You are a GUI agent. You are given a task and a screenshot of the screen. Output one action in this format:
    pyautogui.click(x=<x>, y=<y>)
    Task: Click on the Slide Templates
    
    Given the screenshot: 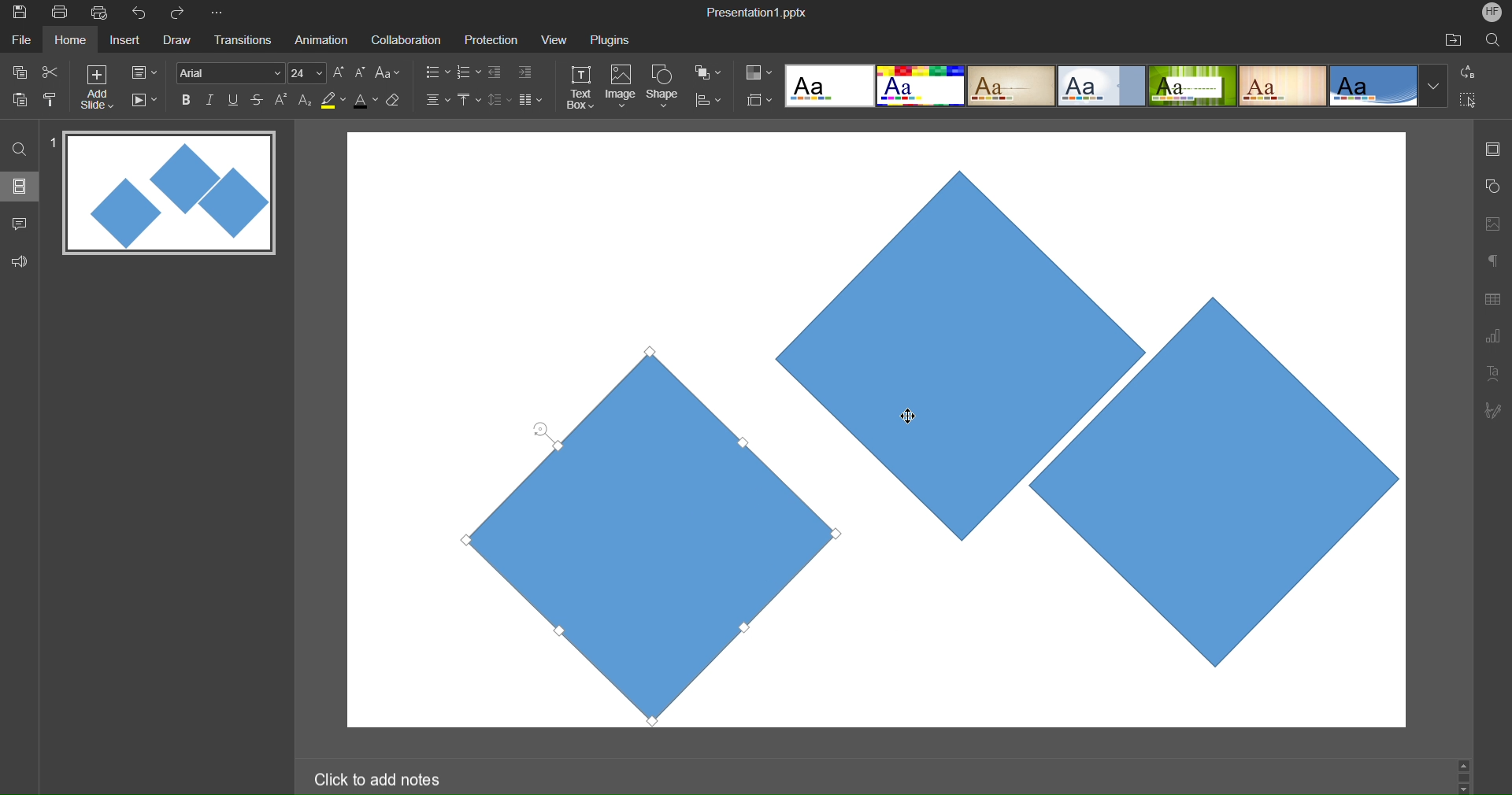 What is the action you would take?
    pyautogui.click(x=1117, y=84)
    